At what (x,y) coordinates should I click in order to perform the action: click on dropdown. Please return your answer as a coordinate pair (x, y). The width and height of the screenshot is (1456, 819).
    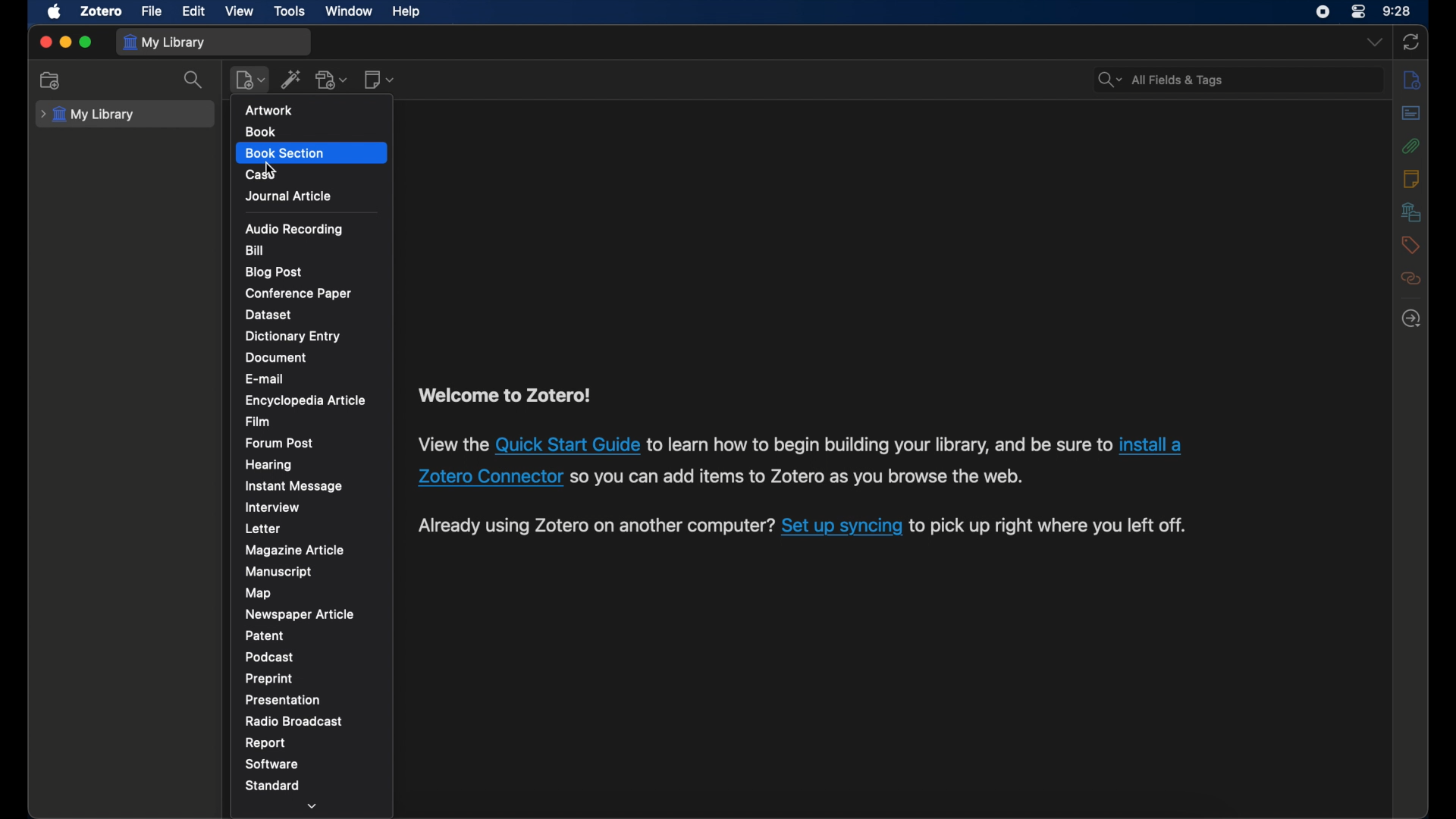
    Looking at the image, I should click on (1373, 42).